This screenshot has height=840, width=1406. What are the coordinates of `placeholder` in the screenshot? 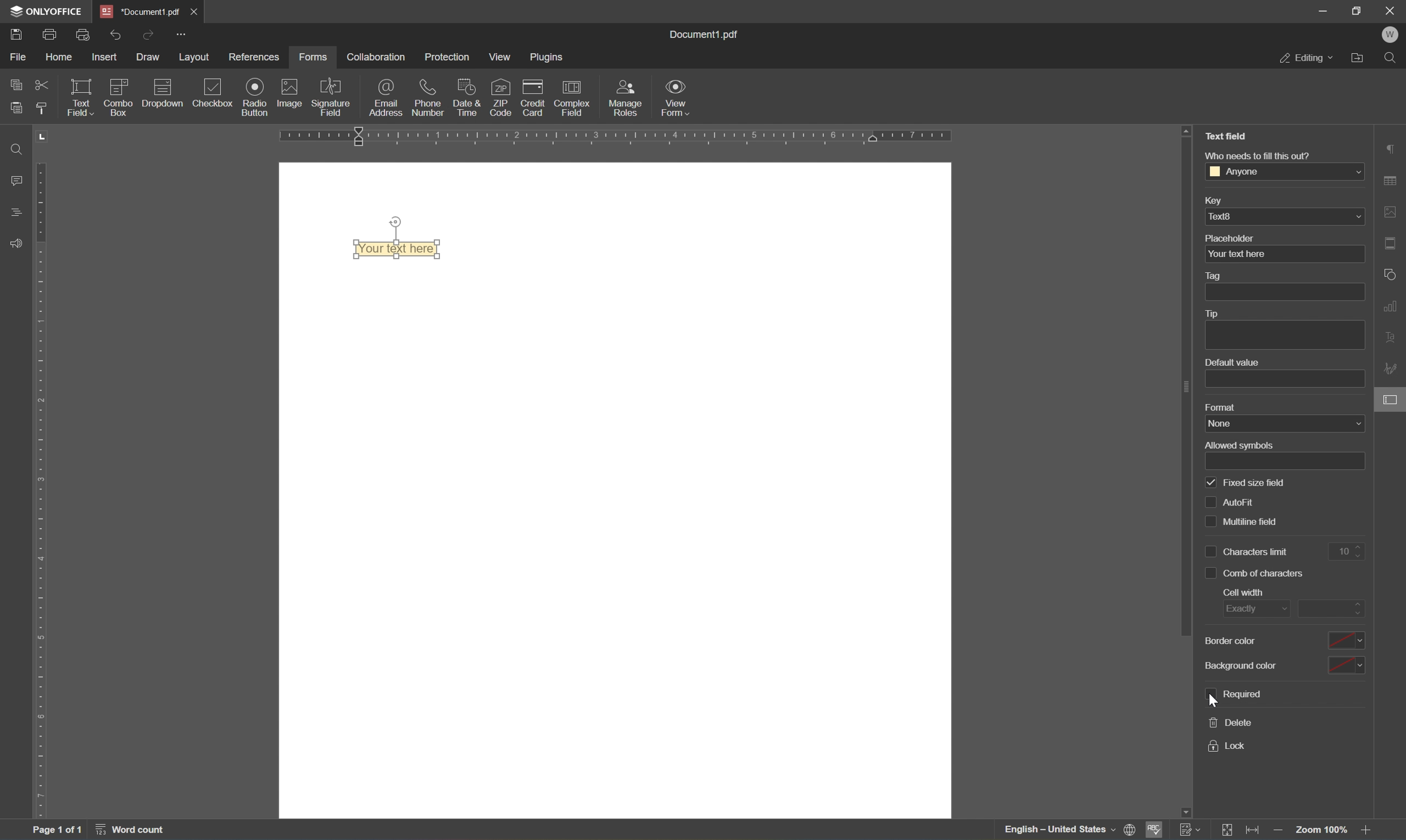 It's located at (1233, 238).